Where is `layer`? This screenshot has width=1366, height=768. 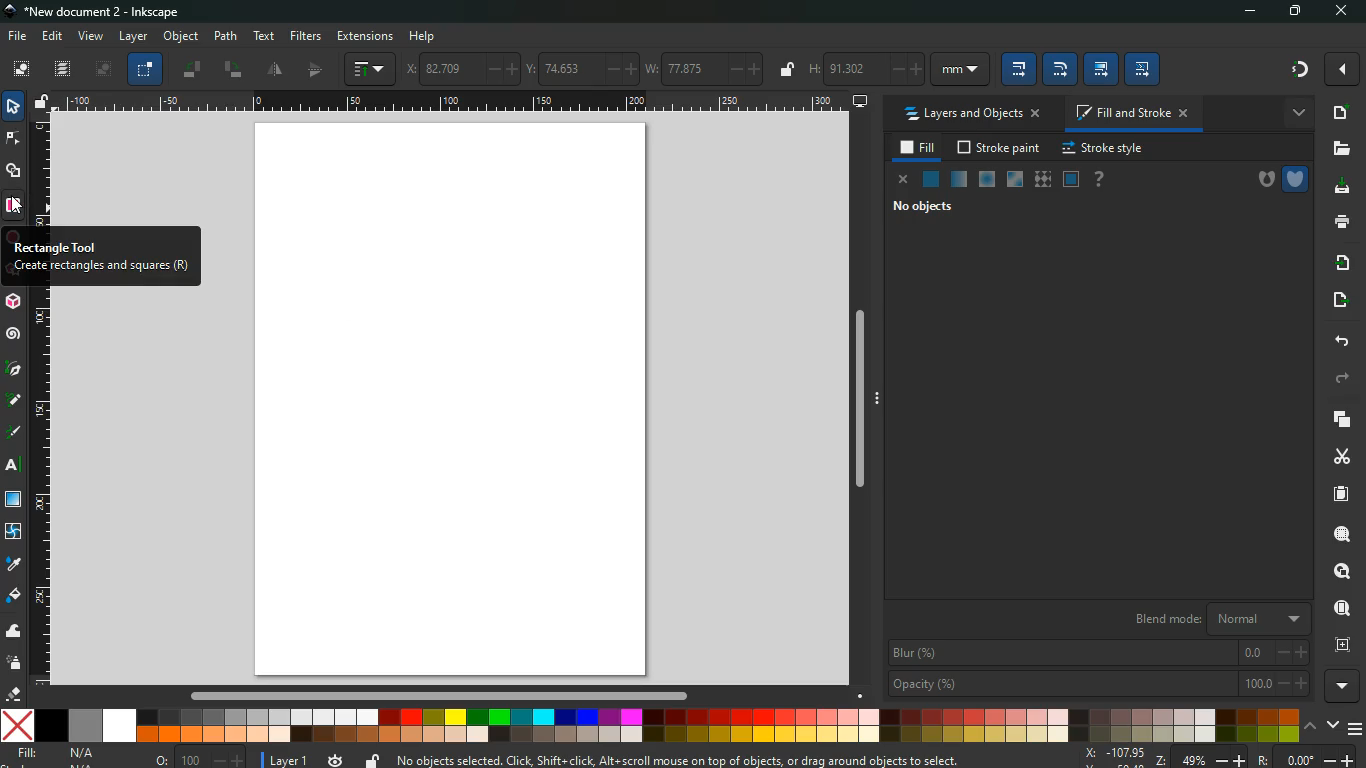
layer is located at coordinates (286, 759).